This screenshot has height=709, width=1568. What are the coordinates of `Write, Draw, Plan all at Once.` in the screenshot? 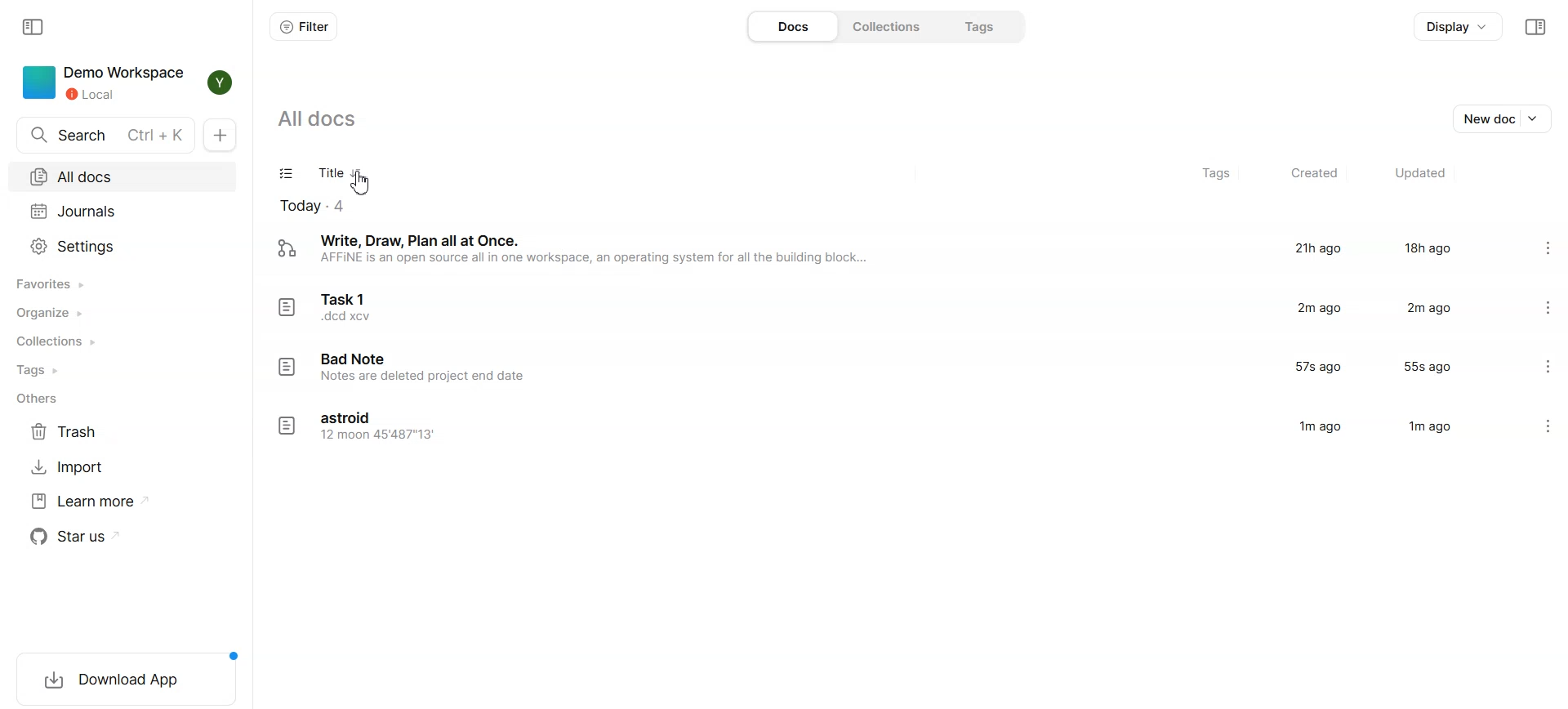 It's located at (420, 239).